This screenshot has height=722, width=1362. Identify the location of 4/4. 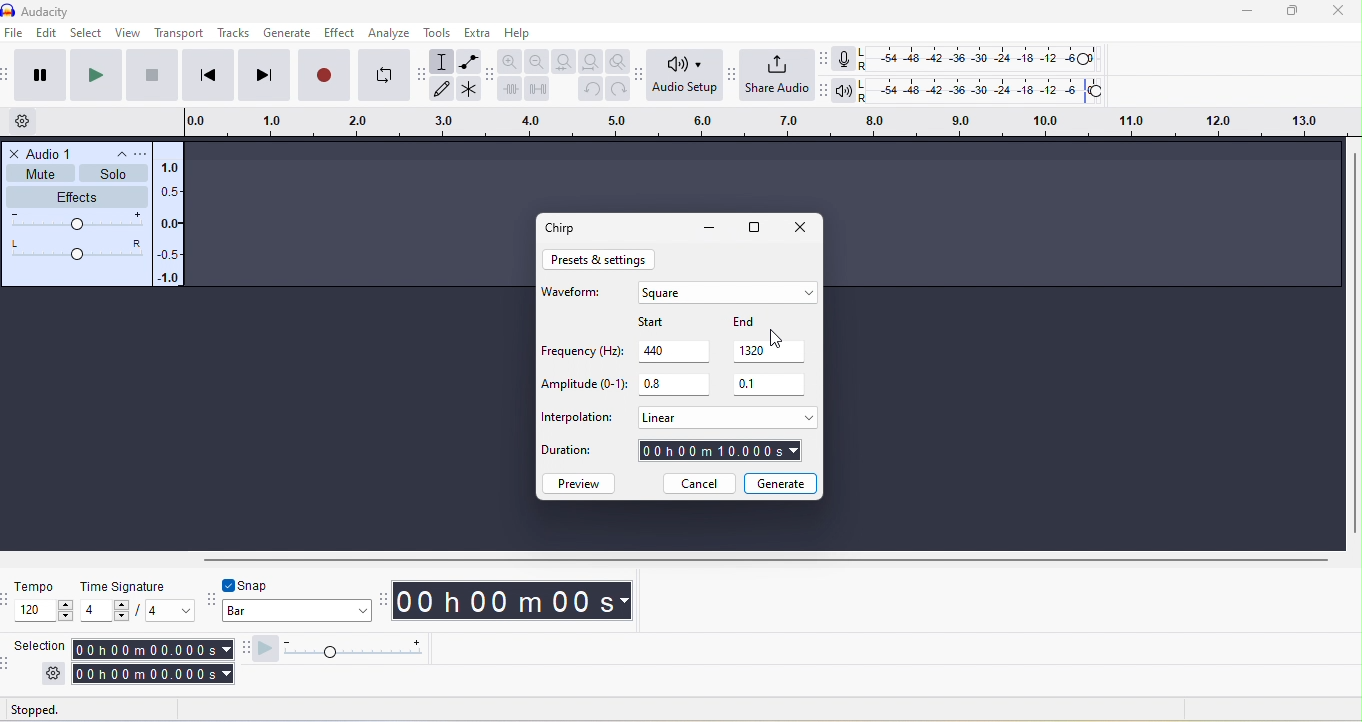
(137, 611).